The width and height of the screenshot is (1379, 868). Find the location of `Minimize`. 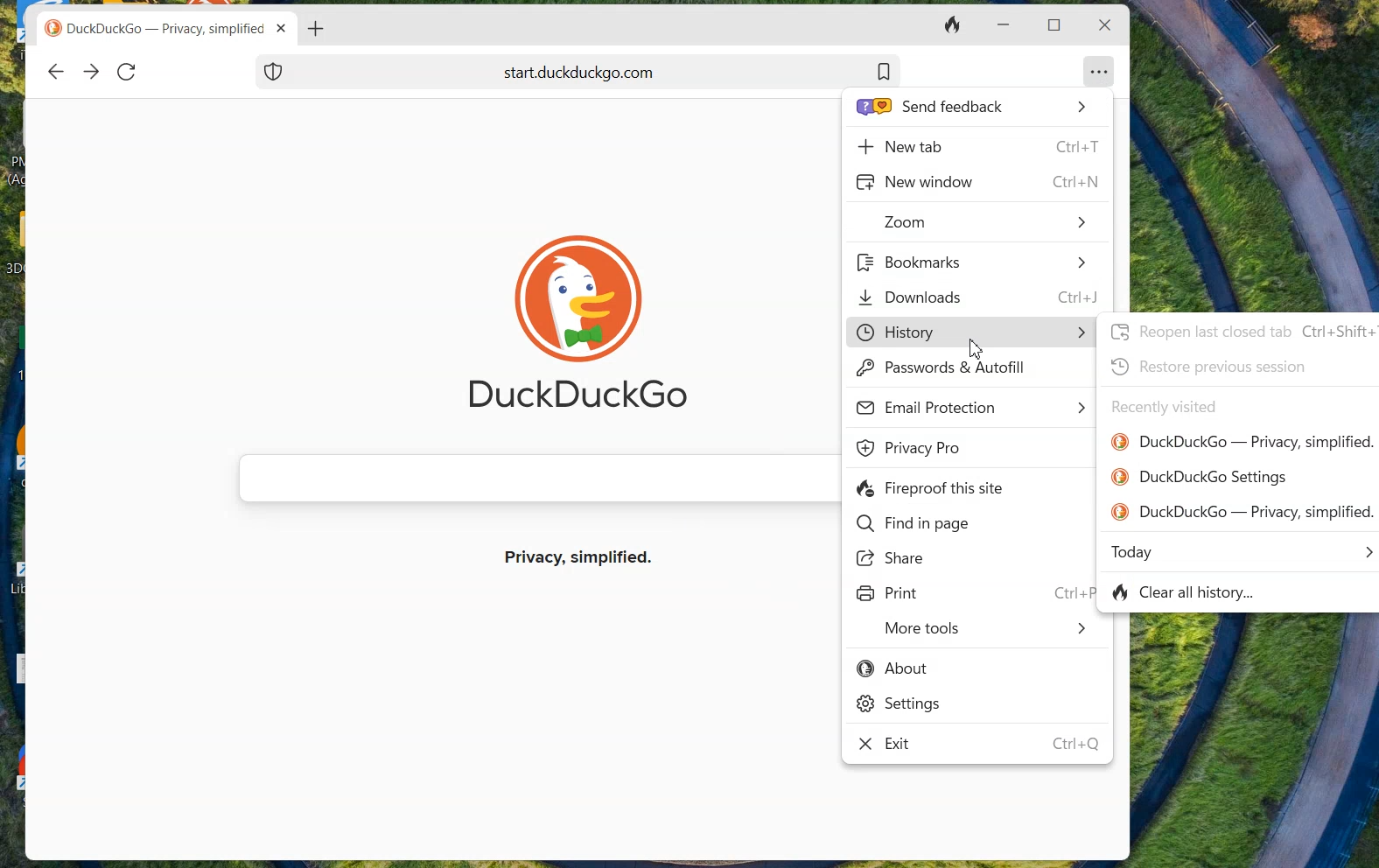

Minimize is located at coordinates (1001, 26).